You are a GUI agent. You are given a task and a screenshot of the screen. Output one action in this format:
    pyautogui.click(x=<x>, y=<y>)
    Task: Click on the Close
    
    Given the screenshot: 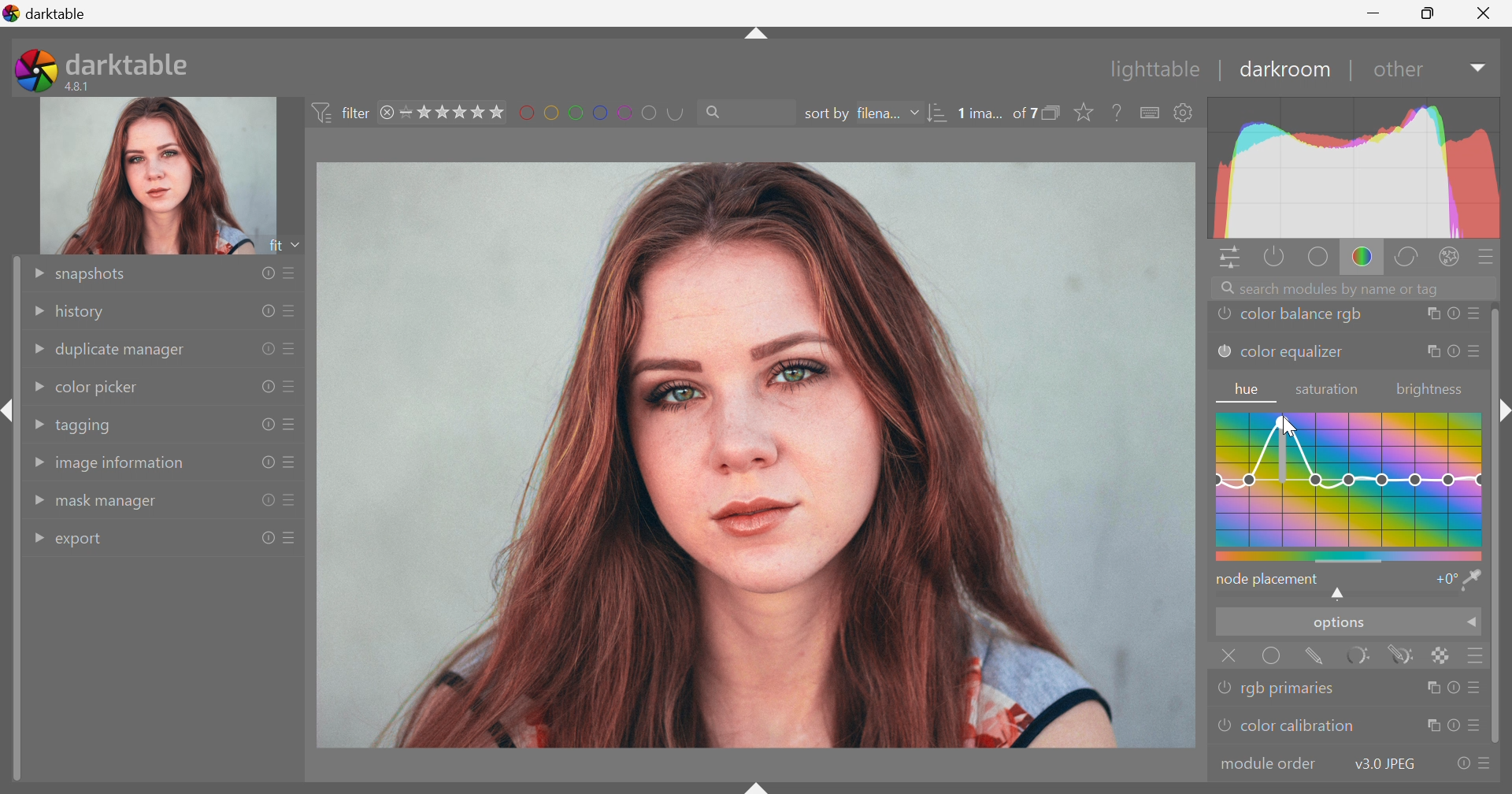 What is the action you would take?
    pyautogui.click(x=1227, y=655)
    